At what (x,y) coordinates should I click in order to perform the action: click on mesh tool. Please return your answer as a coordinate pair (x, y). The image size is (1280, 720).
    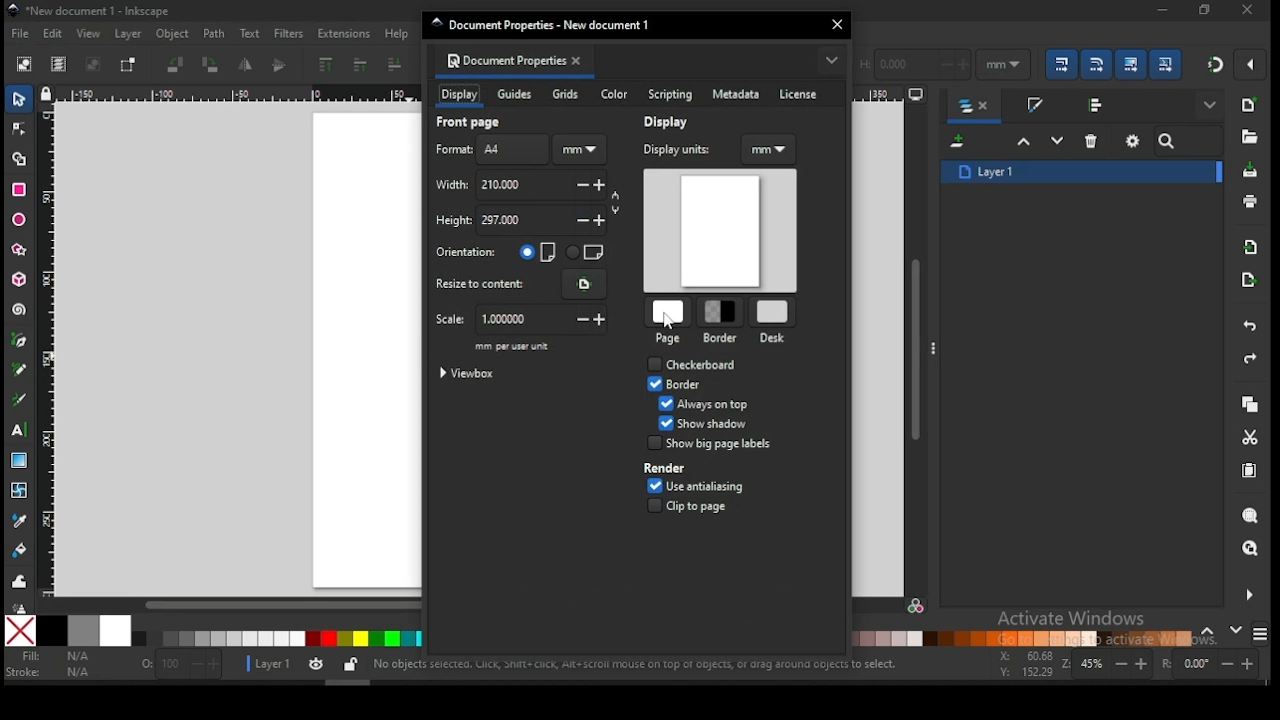
    Looking at the image, I should click on (21, 491).